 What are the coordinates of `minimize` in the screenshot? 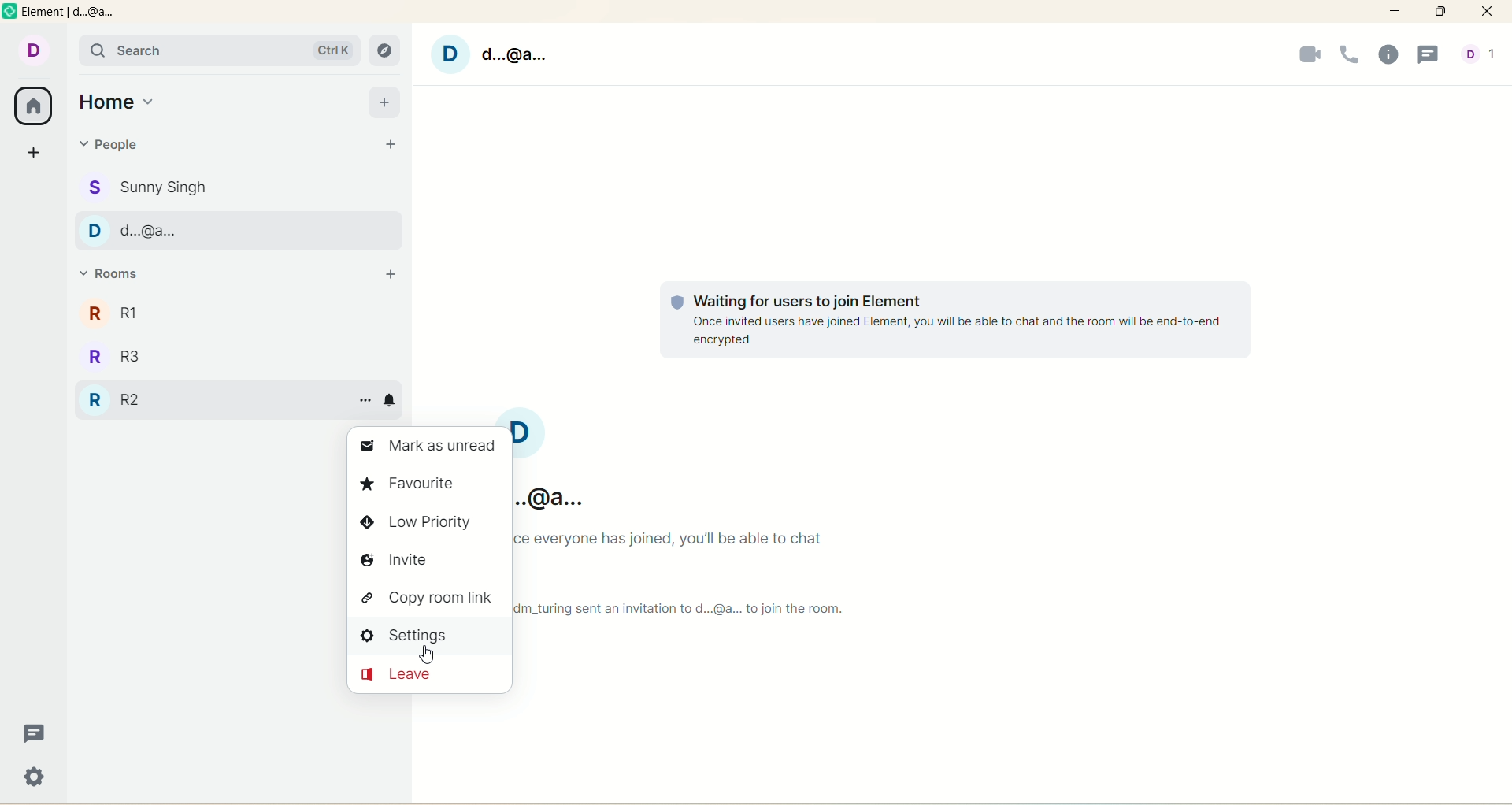 It's located at (1398, 12).